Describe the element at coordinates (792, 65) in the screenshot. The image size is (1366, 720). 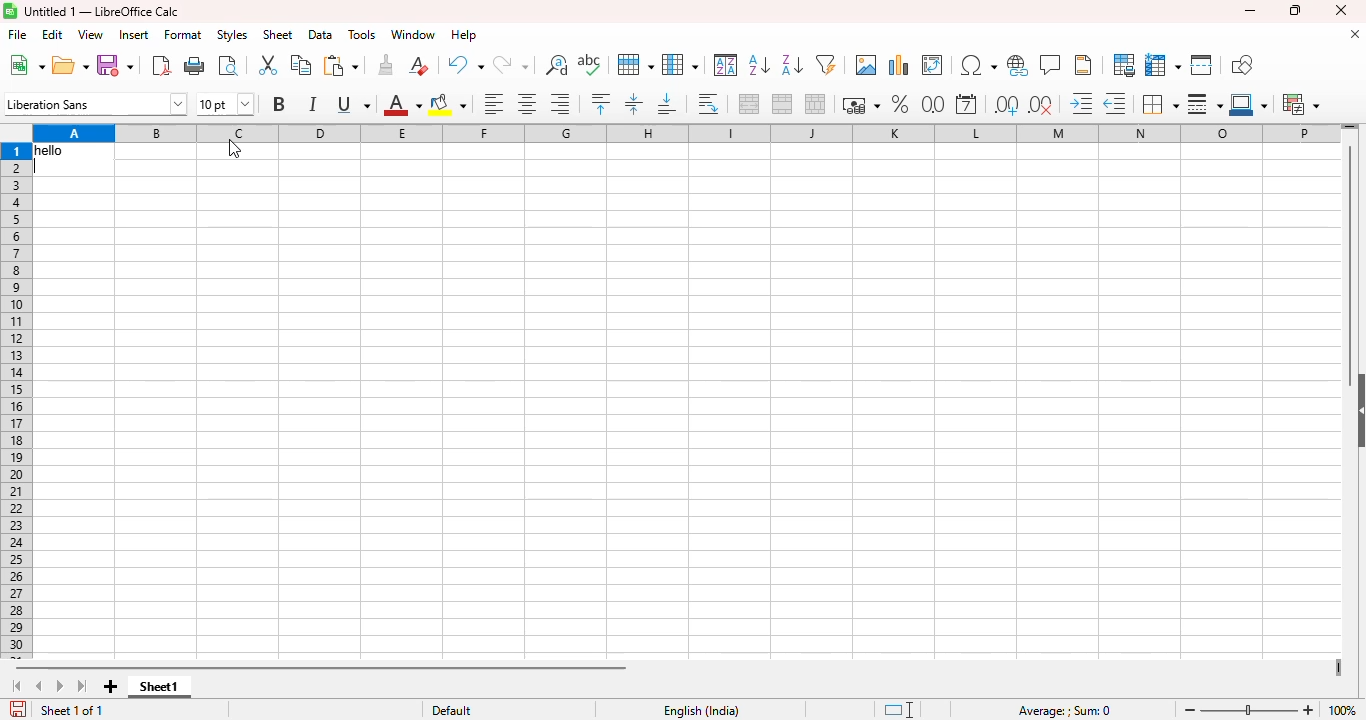
I see `sort descending` at that location.